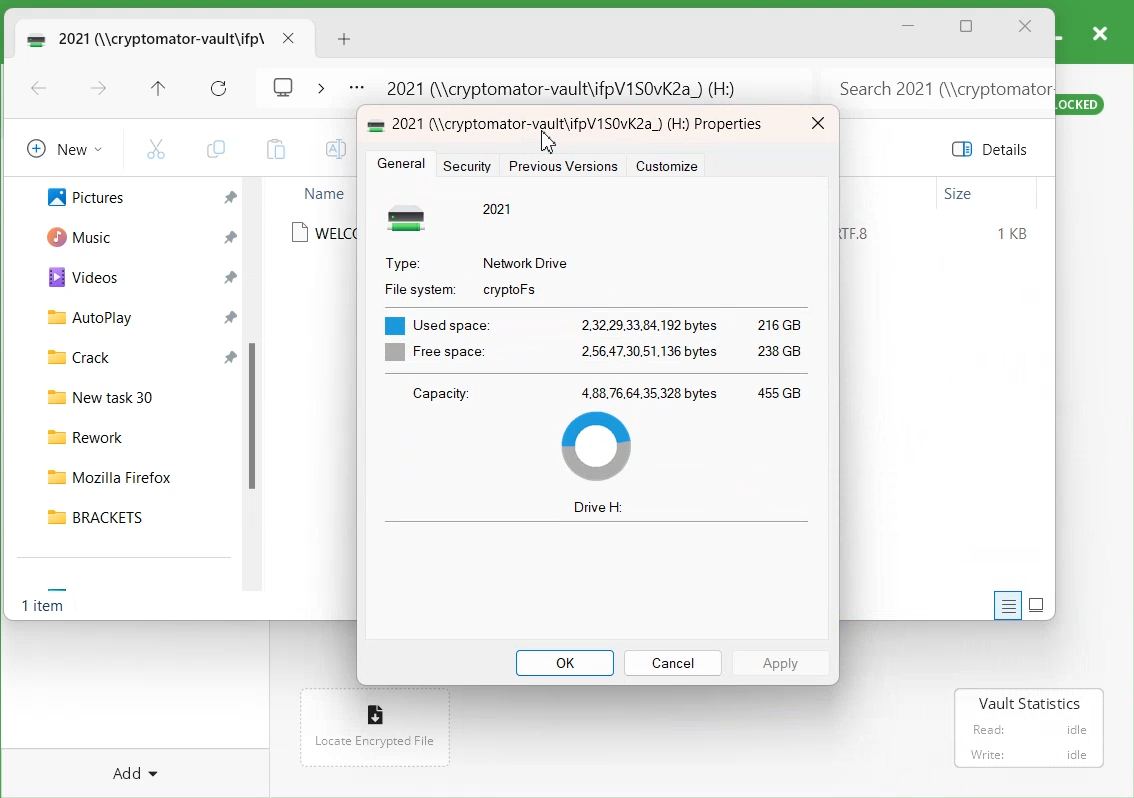 This screenshot has height=798, width=1134. What do you see at coordinates (333, 149) in the screenshot?
I see `Rename` at bounding box center [333, 149].